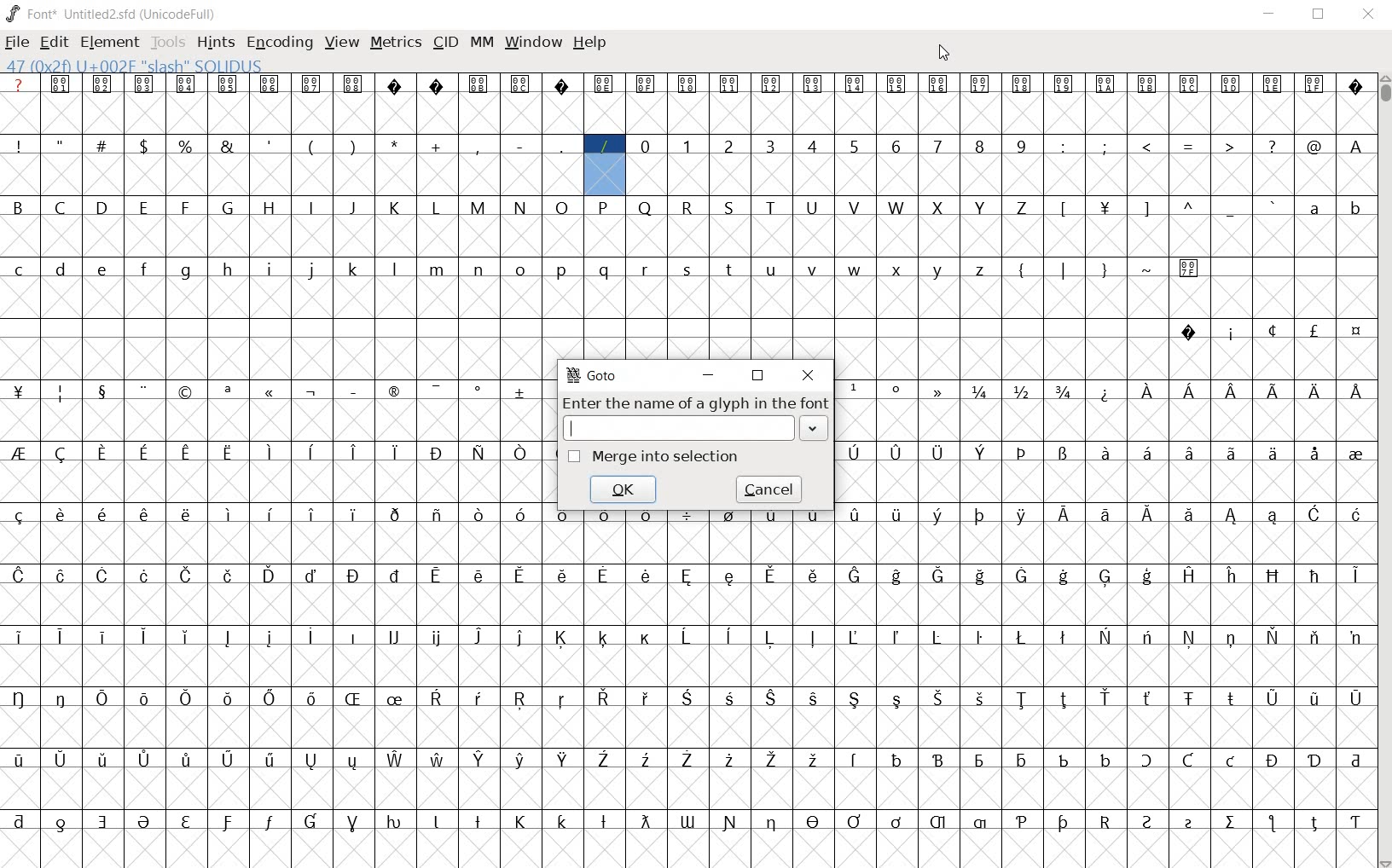  Describe the element at coordinates (1273, 699) in the screenshot. I see `glyph` at that location.